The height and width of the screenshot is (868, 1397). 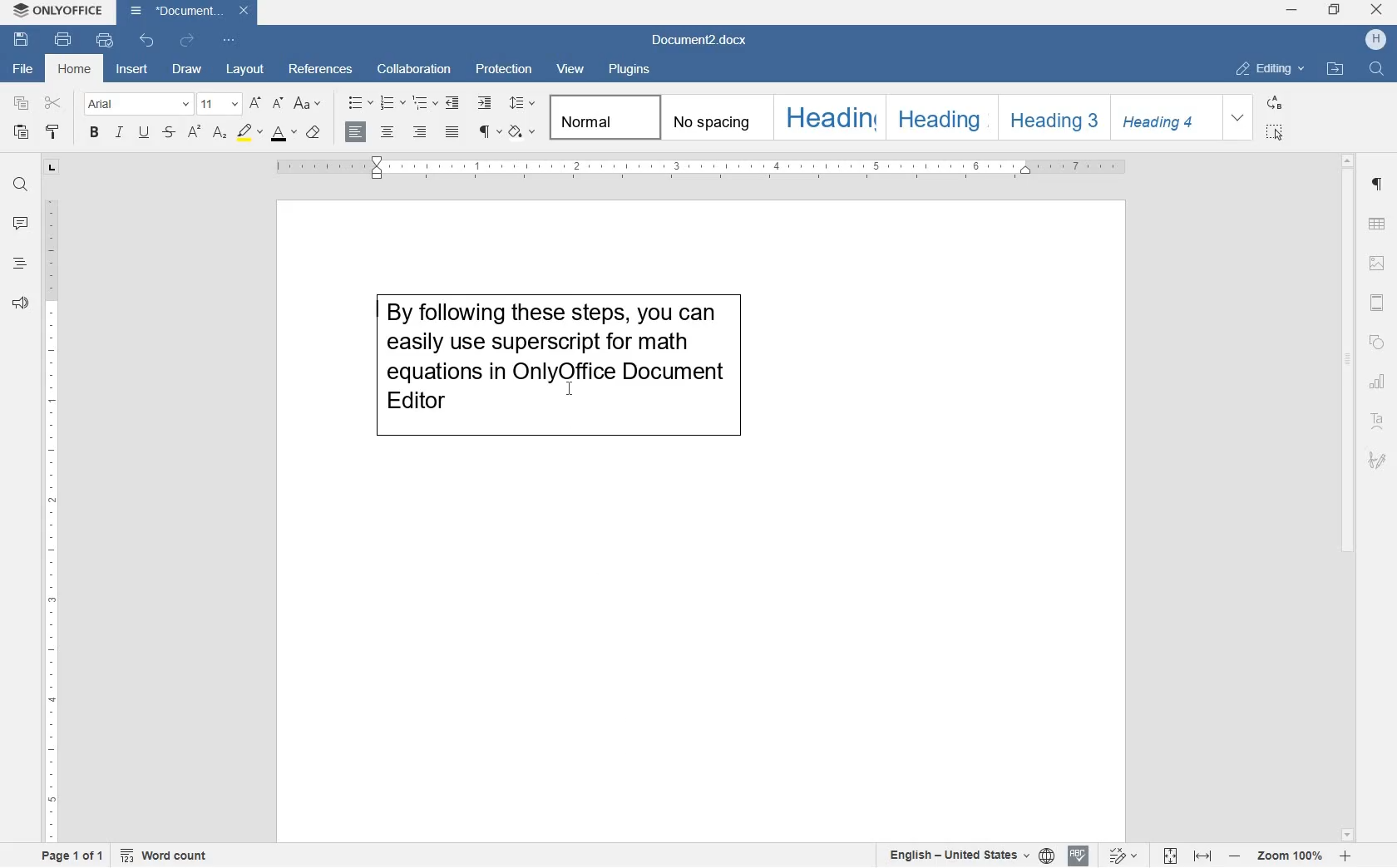 I want to click on quick print, so click(x=105, y=40).